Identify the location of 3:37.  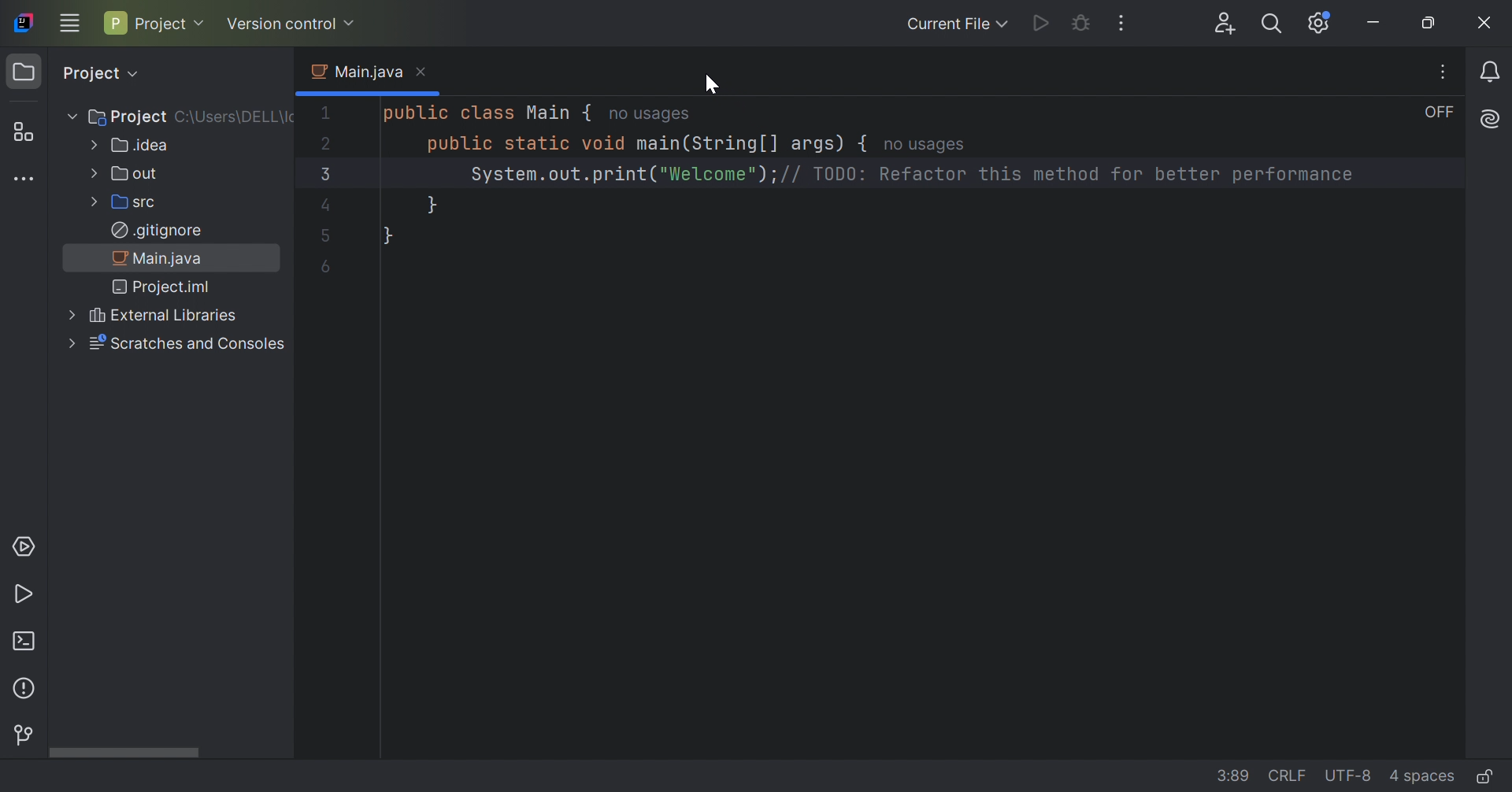
(1234, 775).